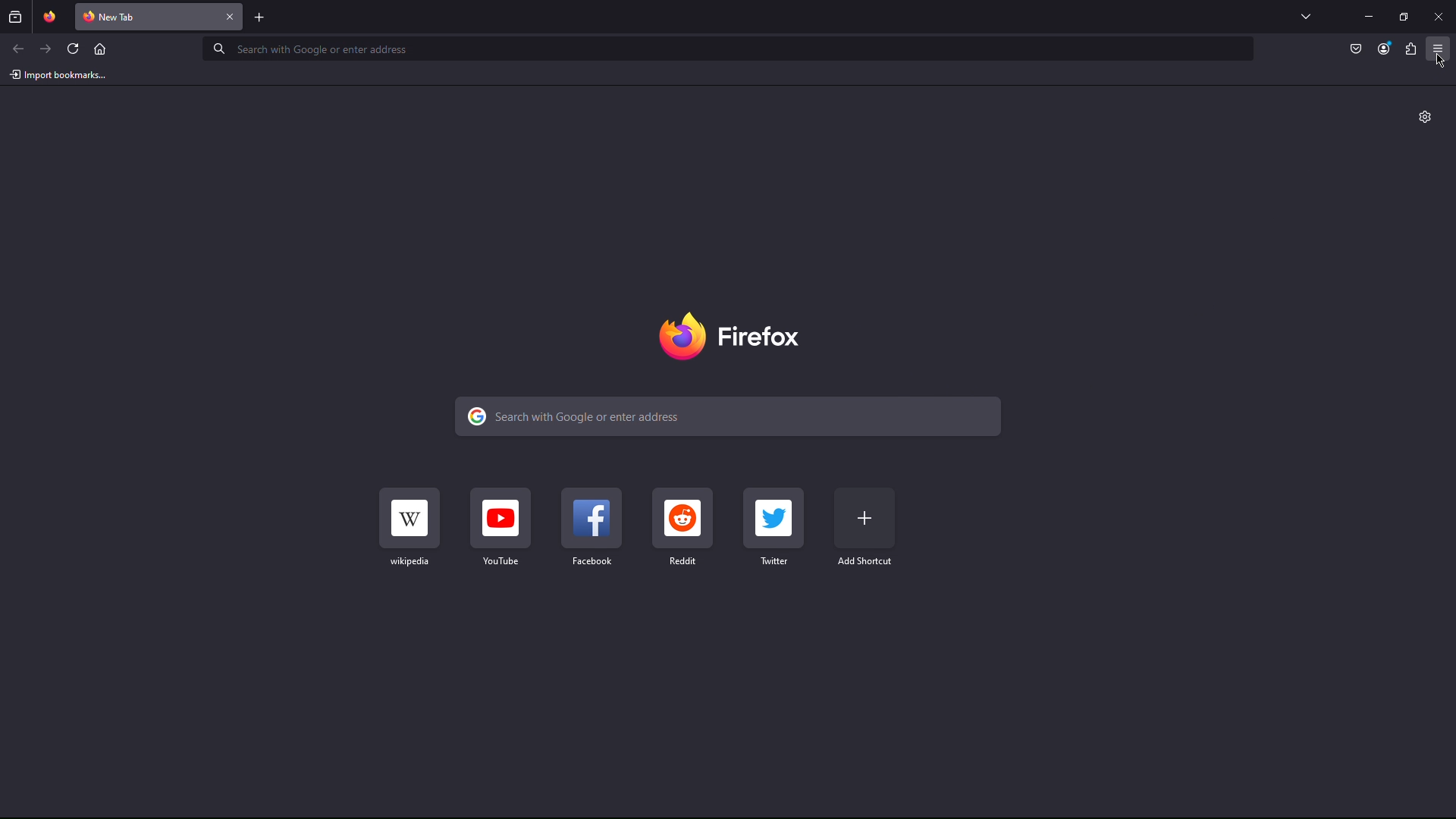  What do you see at coordinates (231, 17) in the screenshot?
I see `Close` at bounding box center [231, 17].